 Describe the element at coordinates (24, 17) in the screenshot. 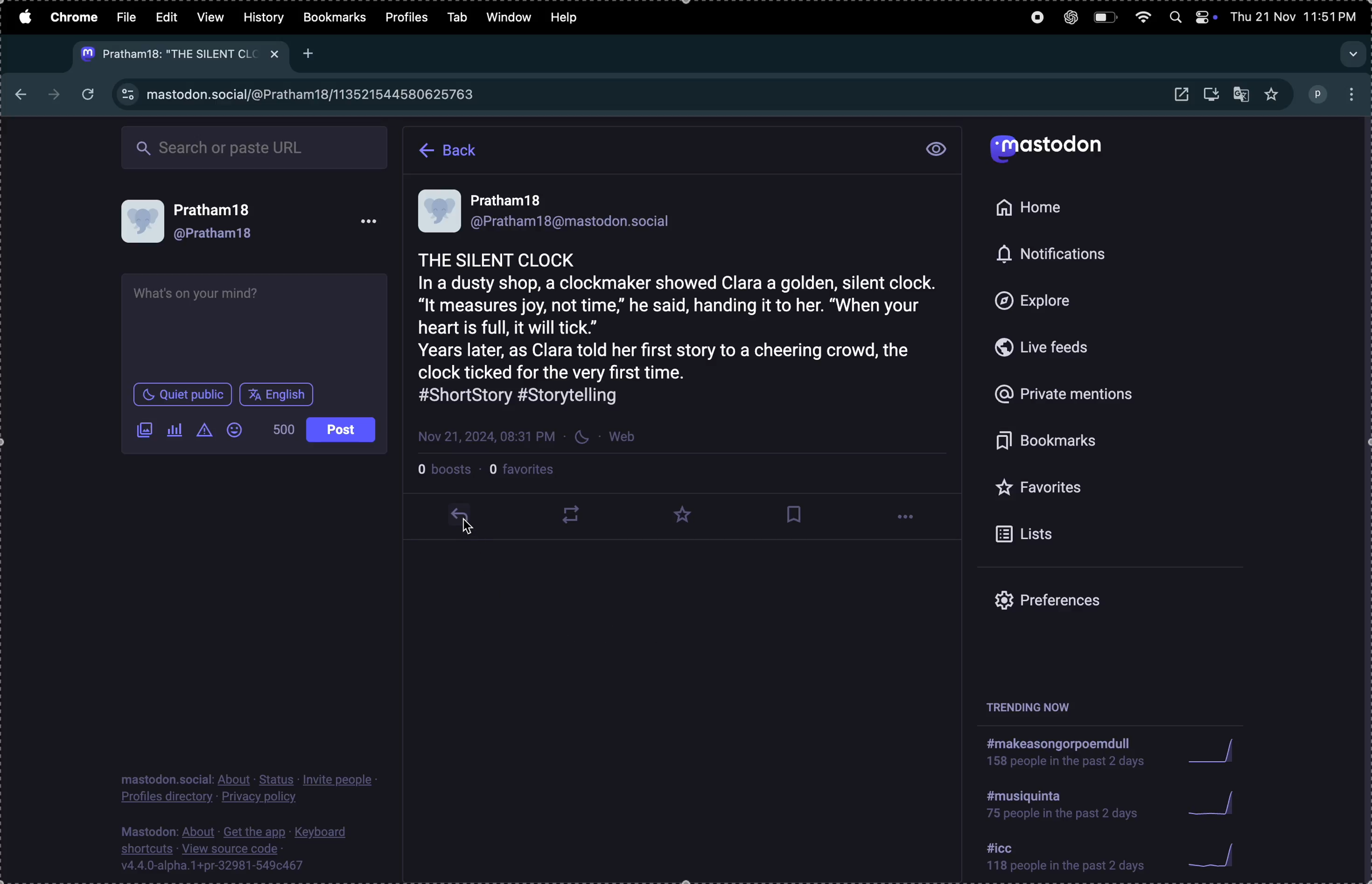

I see `apple menu` at that location.